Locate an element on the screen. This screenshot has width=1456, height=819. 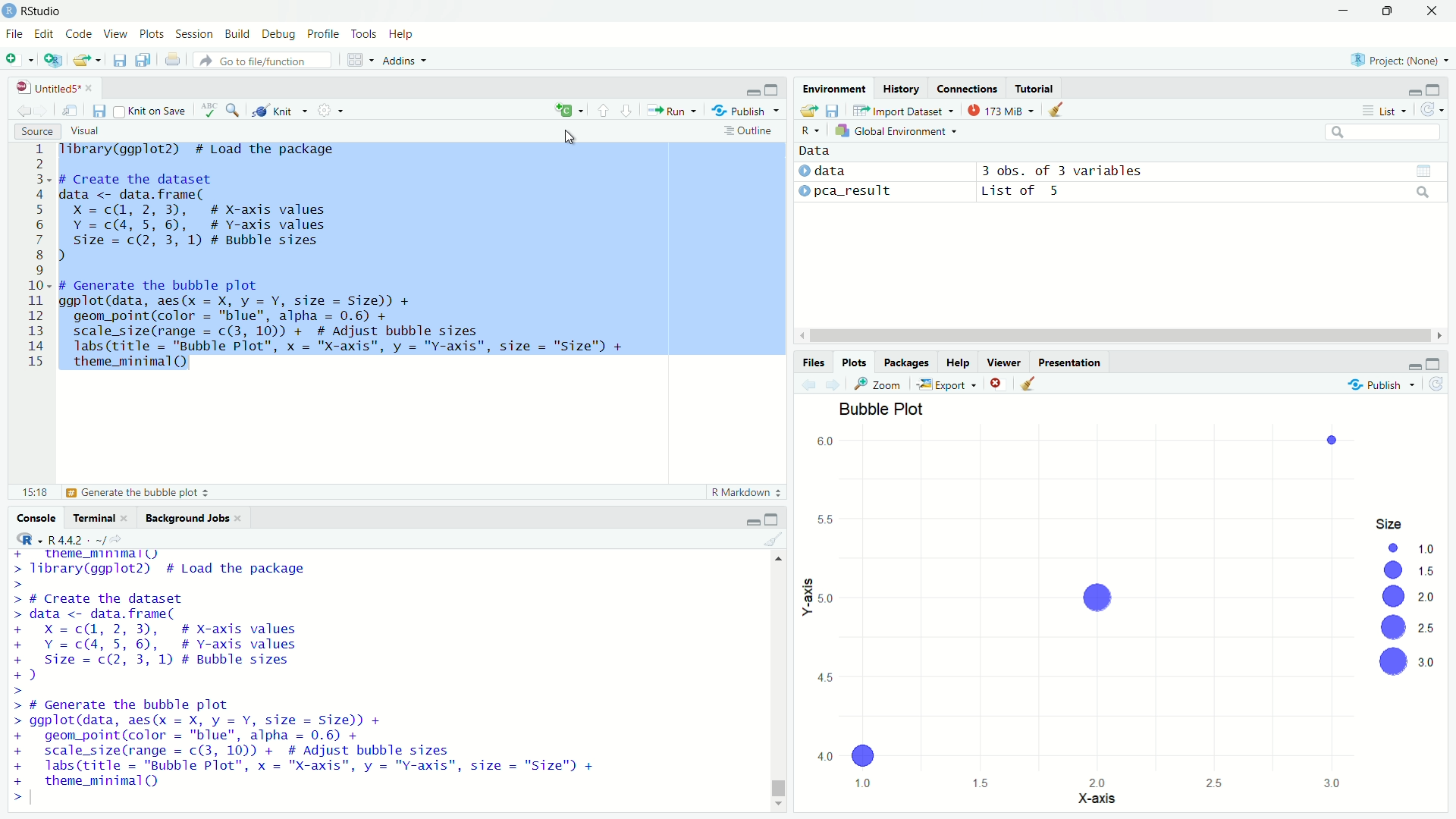
outline is located at coordinates (749, 130).